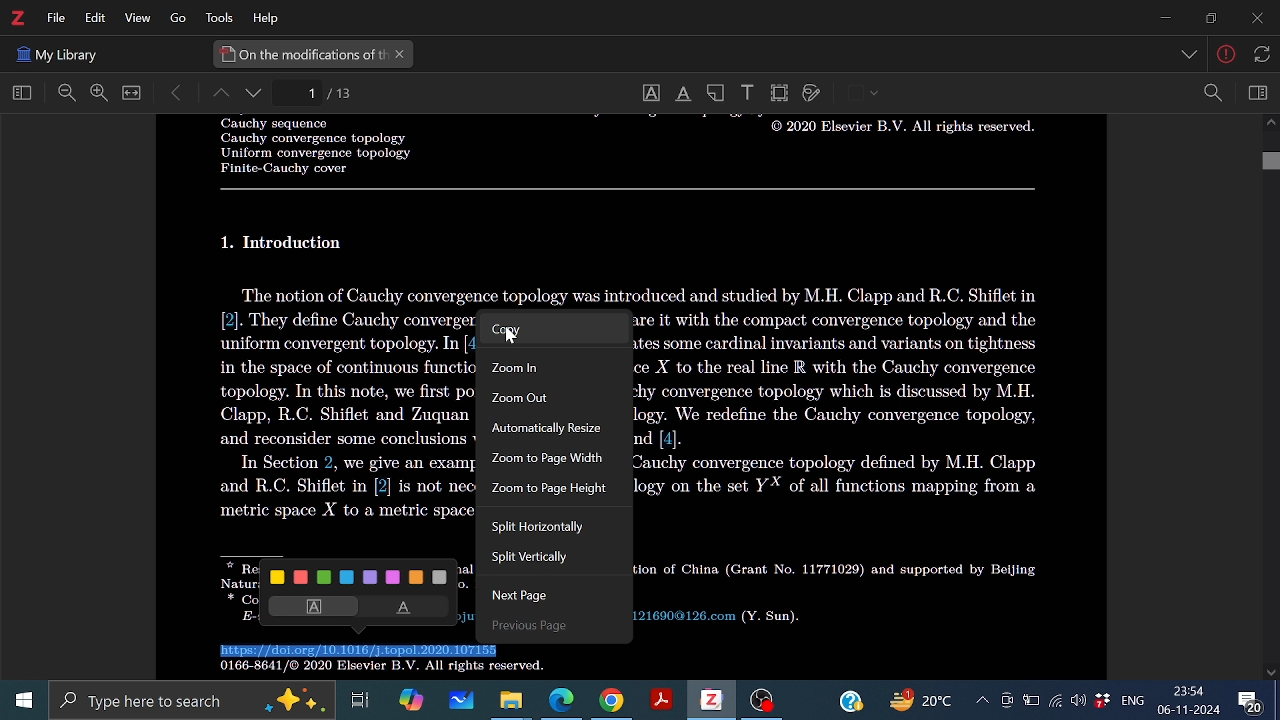 This screenshot has width=1280, height=720. What do you see at coordinates (56, 18) in the screenshot?
I see `File` at bounding box center [56, 18].